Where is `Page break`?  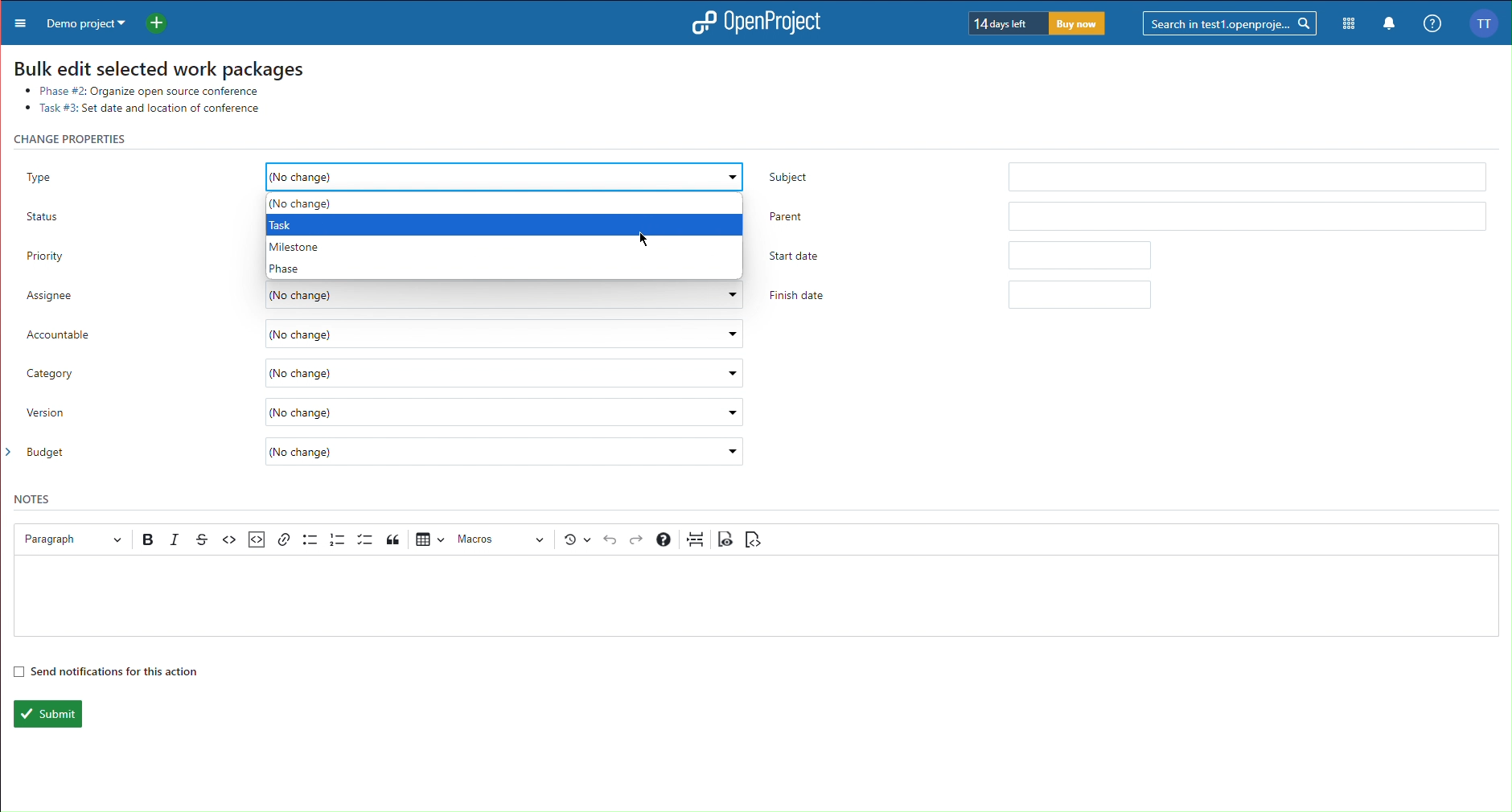 Page break is located at coordinates (696, 539).